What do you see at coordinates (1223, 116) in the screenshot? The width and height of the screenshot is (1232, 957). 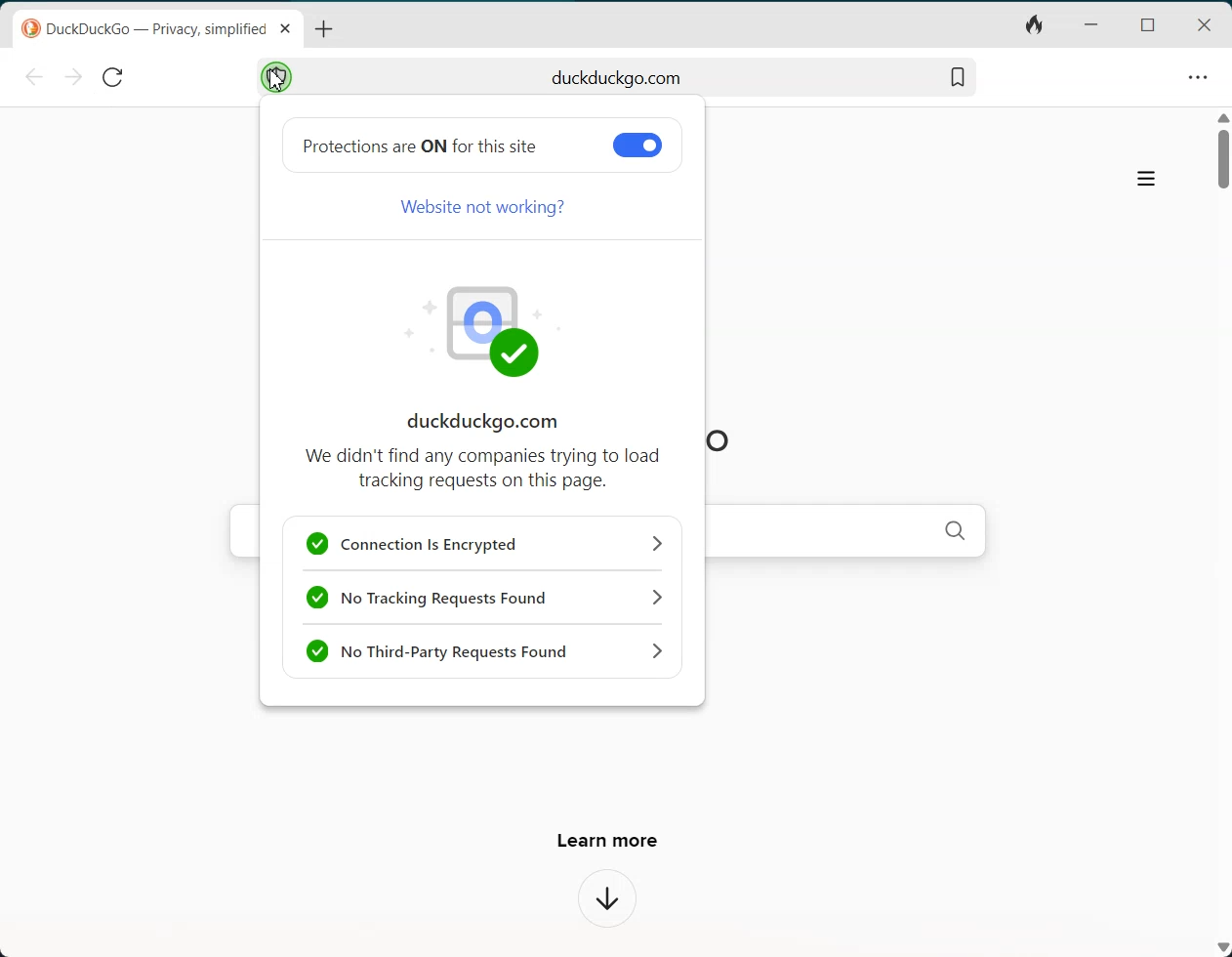 I see `scroll up` at bounding box center [1223, 116].